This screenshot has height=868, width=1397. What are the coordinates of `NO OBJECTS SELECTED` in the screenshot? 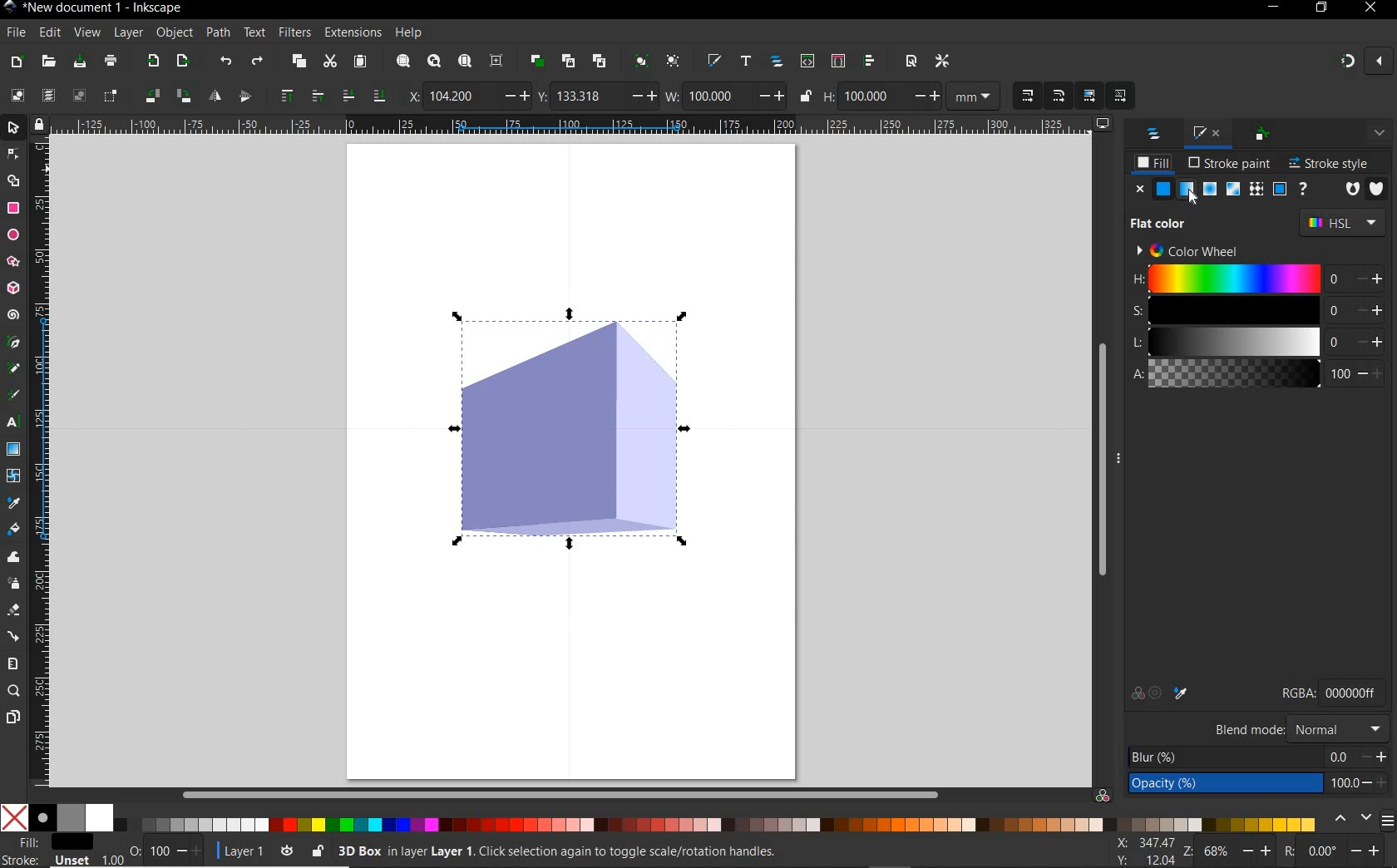 It's located at (659, 851).